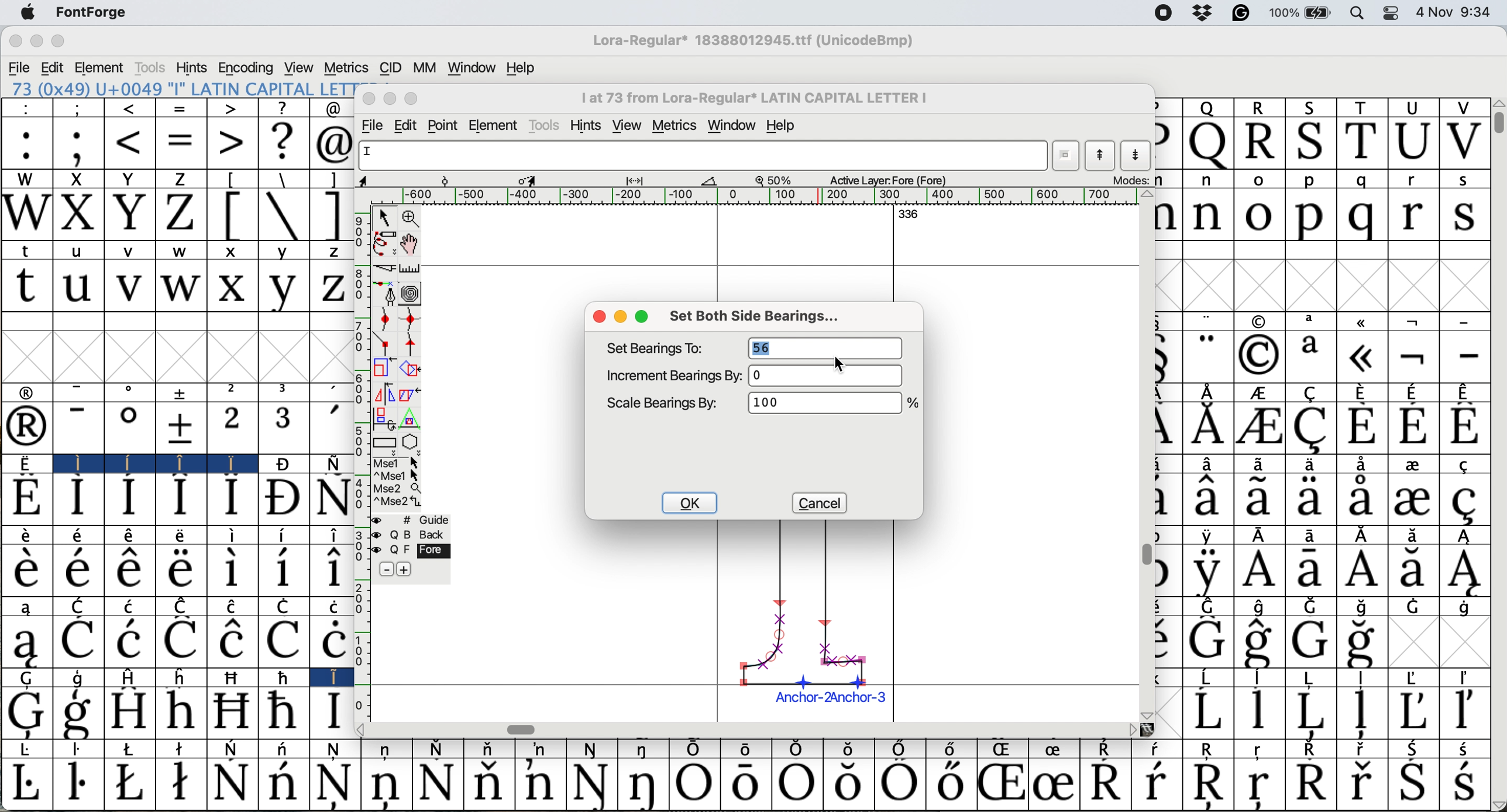 This screenshot has width=1507, height=812. Describe the element at coordinates (1147, 553) in the screenshot. I see `vertical scroll bar` at that location.